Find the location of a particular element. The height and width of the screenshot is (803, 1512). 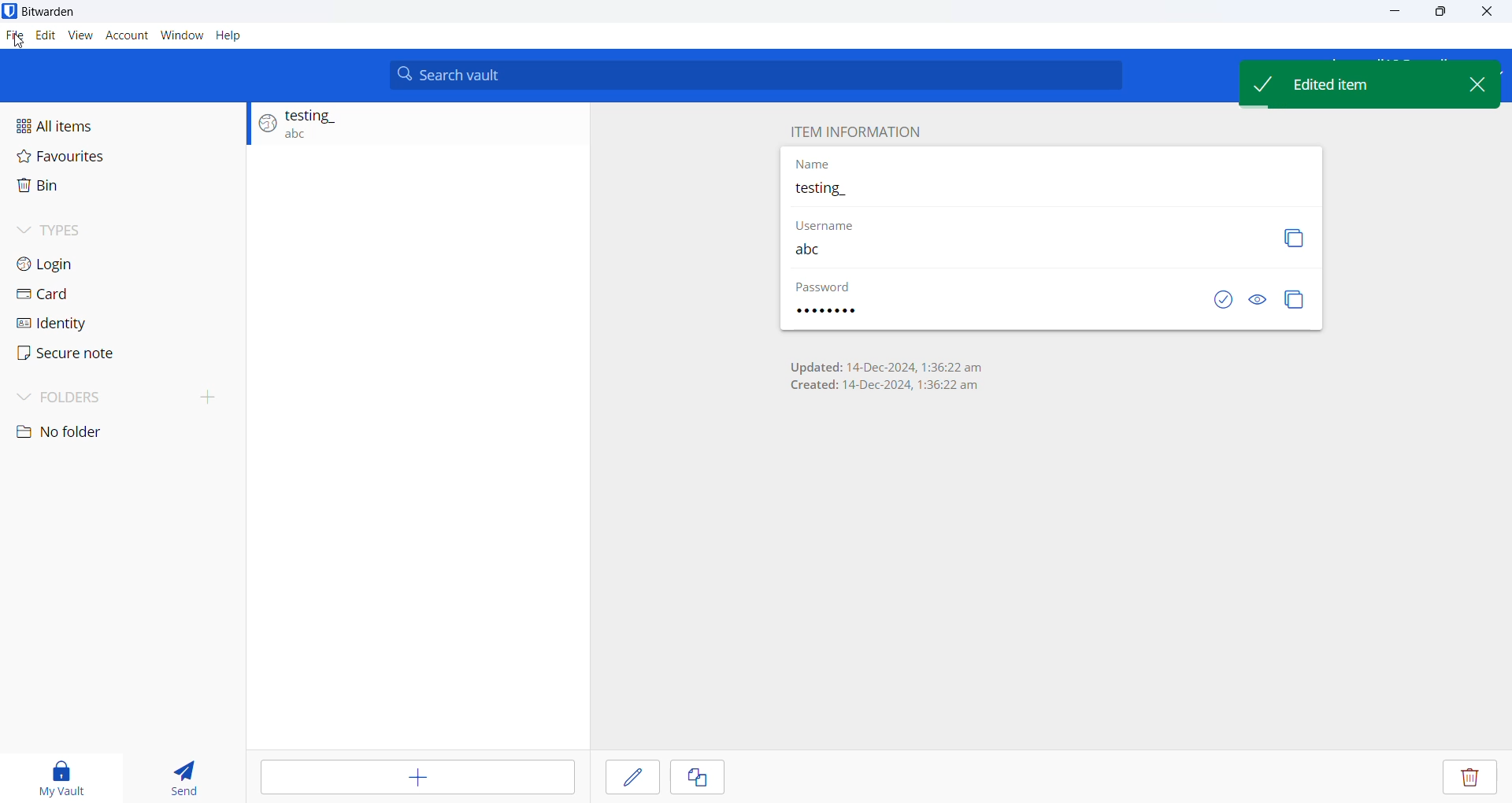

Close is located at coordinates (1492, 14).